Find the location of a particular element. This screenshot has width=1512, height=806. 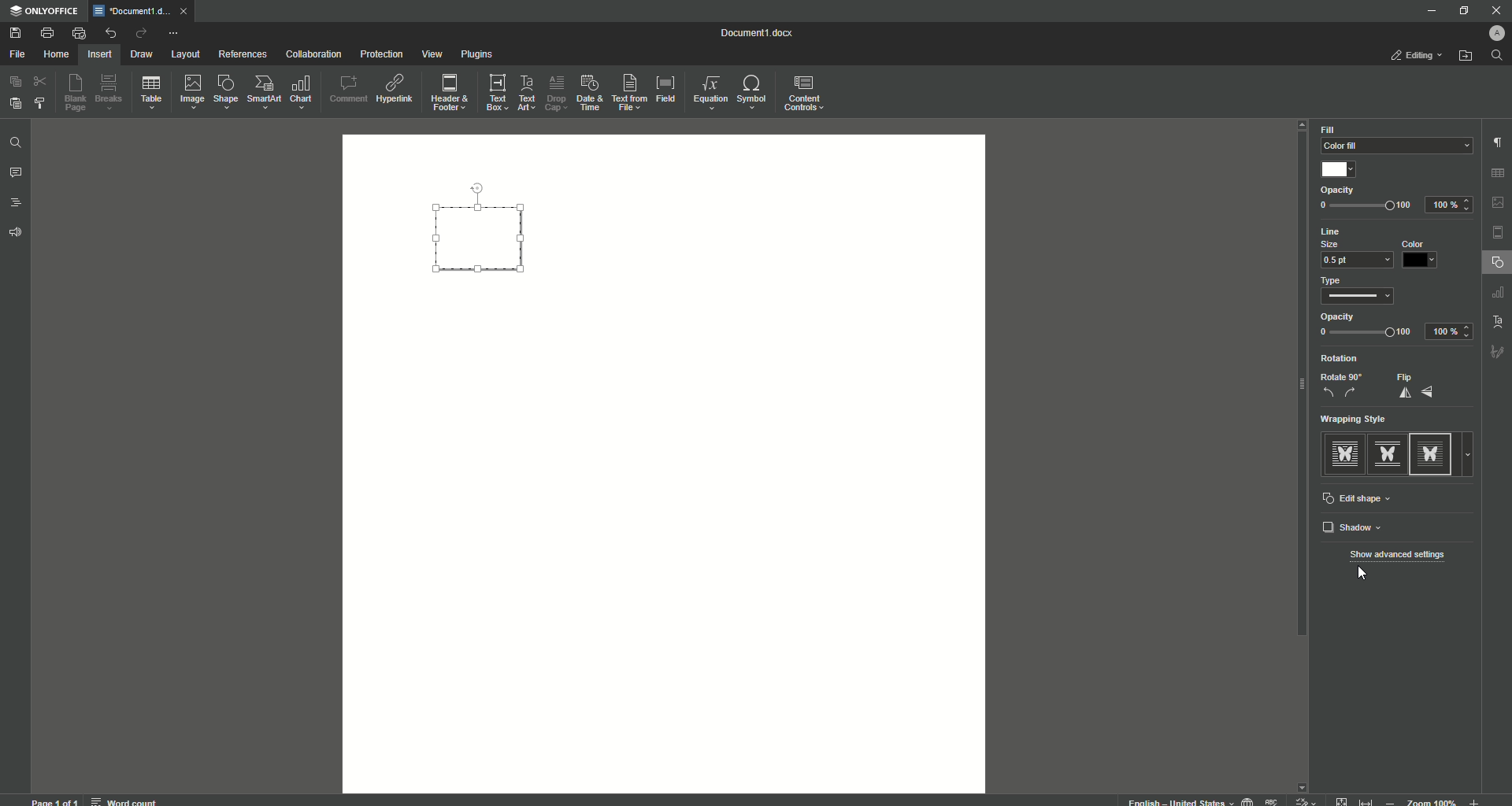

choose type is located at coordinates (1362, 298).